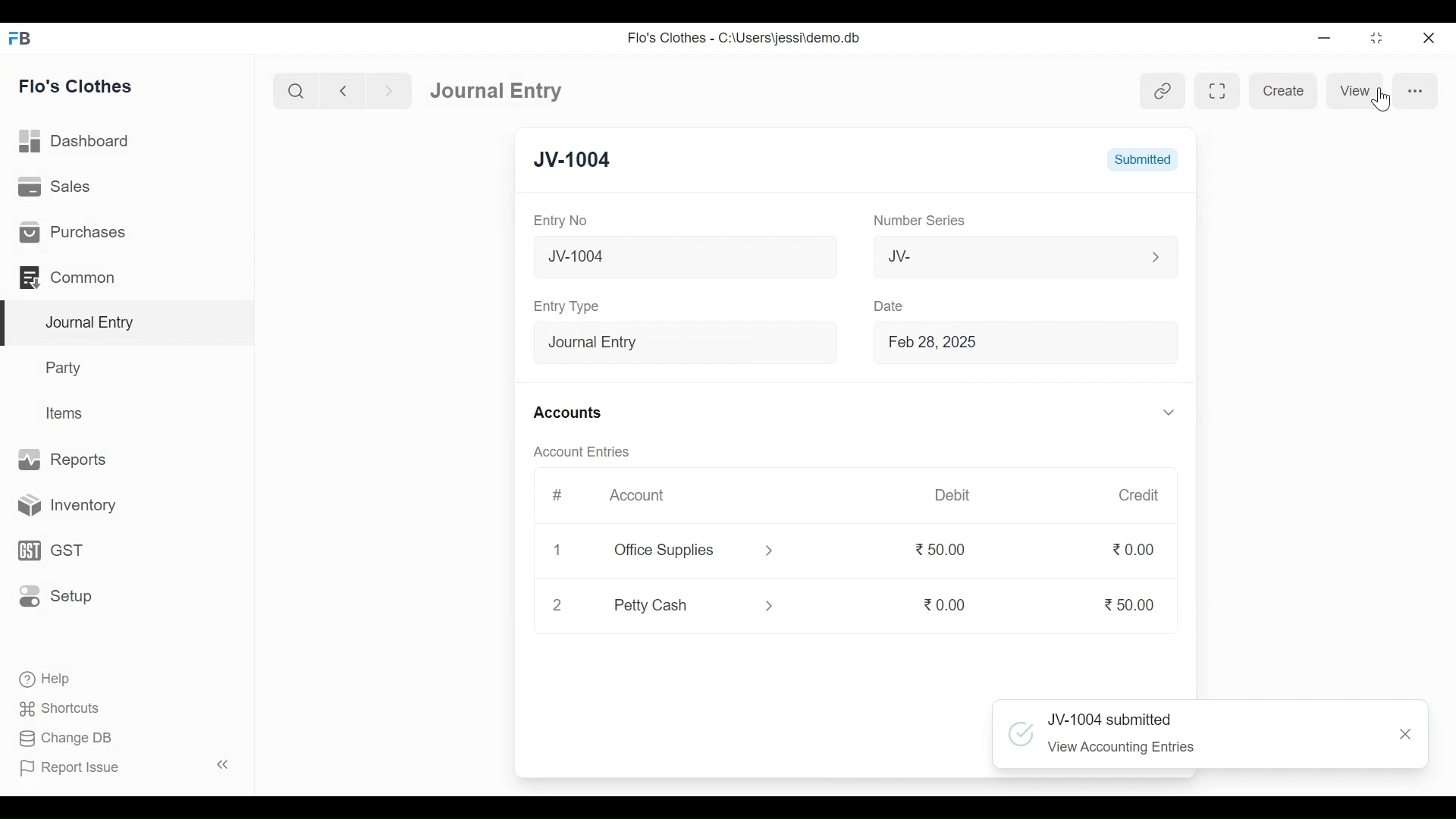 This screenshot has height=819, width=1456. What do you see at coordinates (556, 605) in the screenshot?
I see `2` at bounding box center [556, 605].